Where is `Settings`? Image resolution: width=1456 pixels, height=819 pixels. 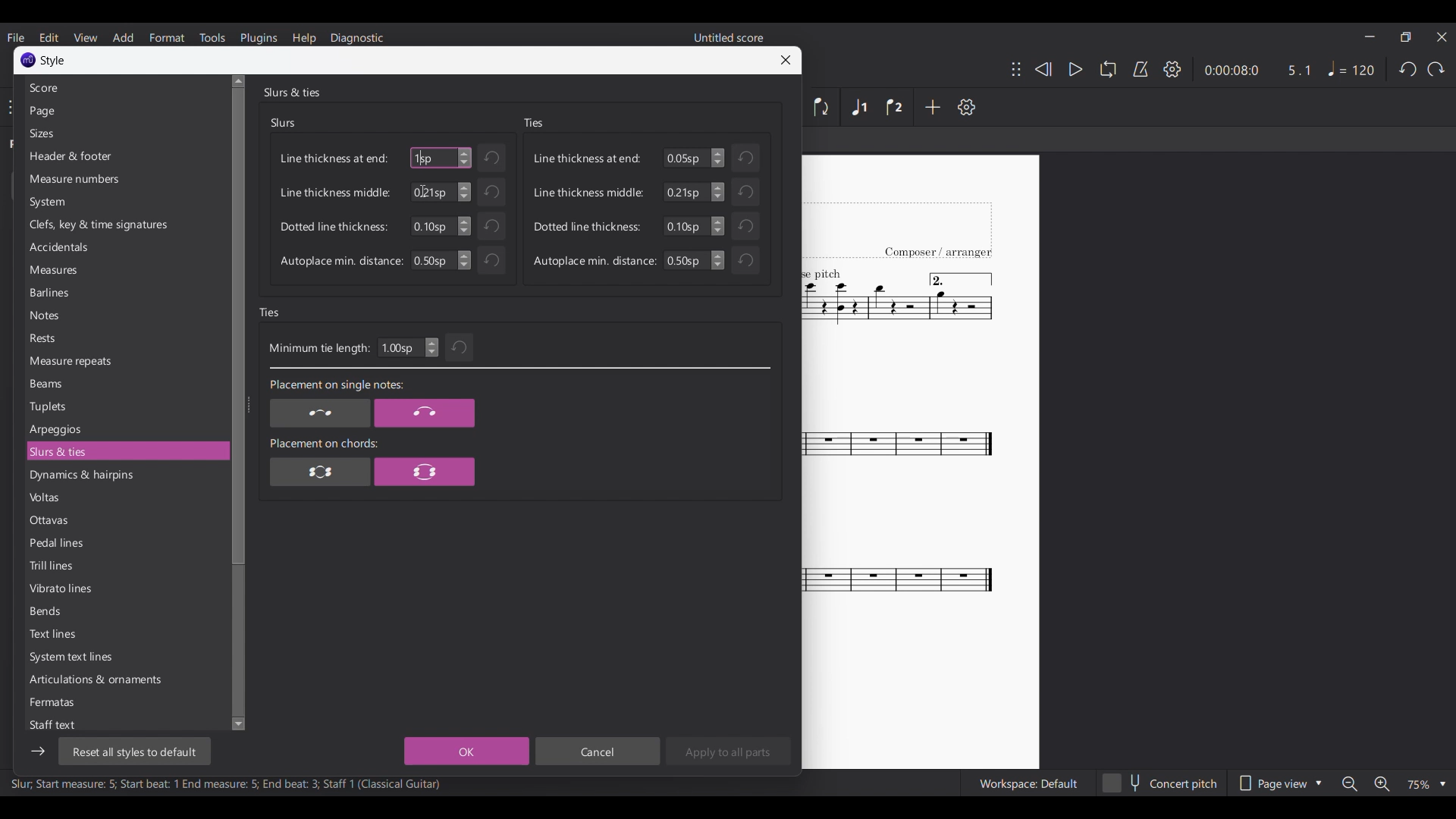 Settings is located at coordinates (1172, 69).